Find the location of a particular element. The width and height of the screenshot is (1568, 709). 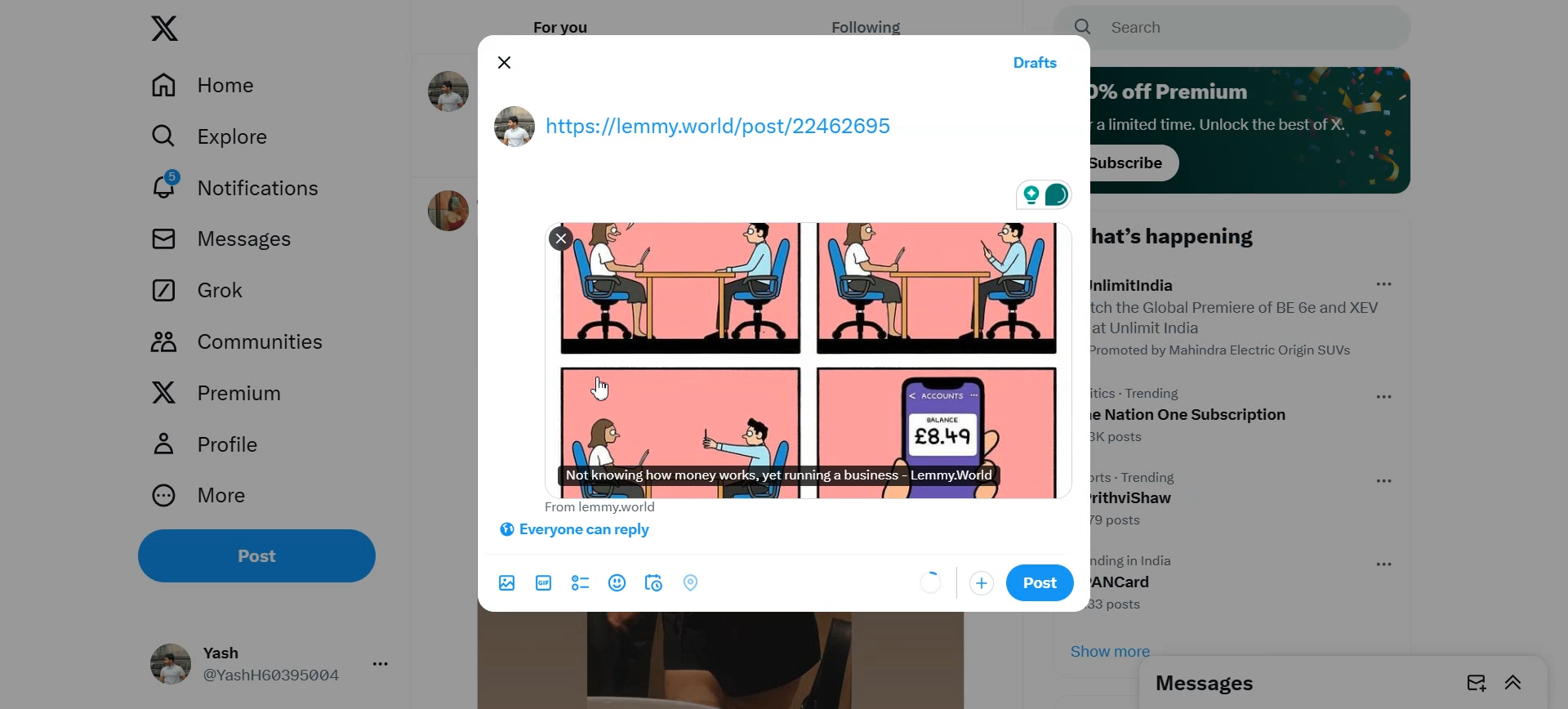

options is located at coordinates (1387, 397).